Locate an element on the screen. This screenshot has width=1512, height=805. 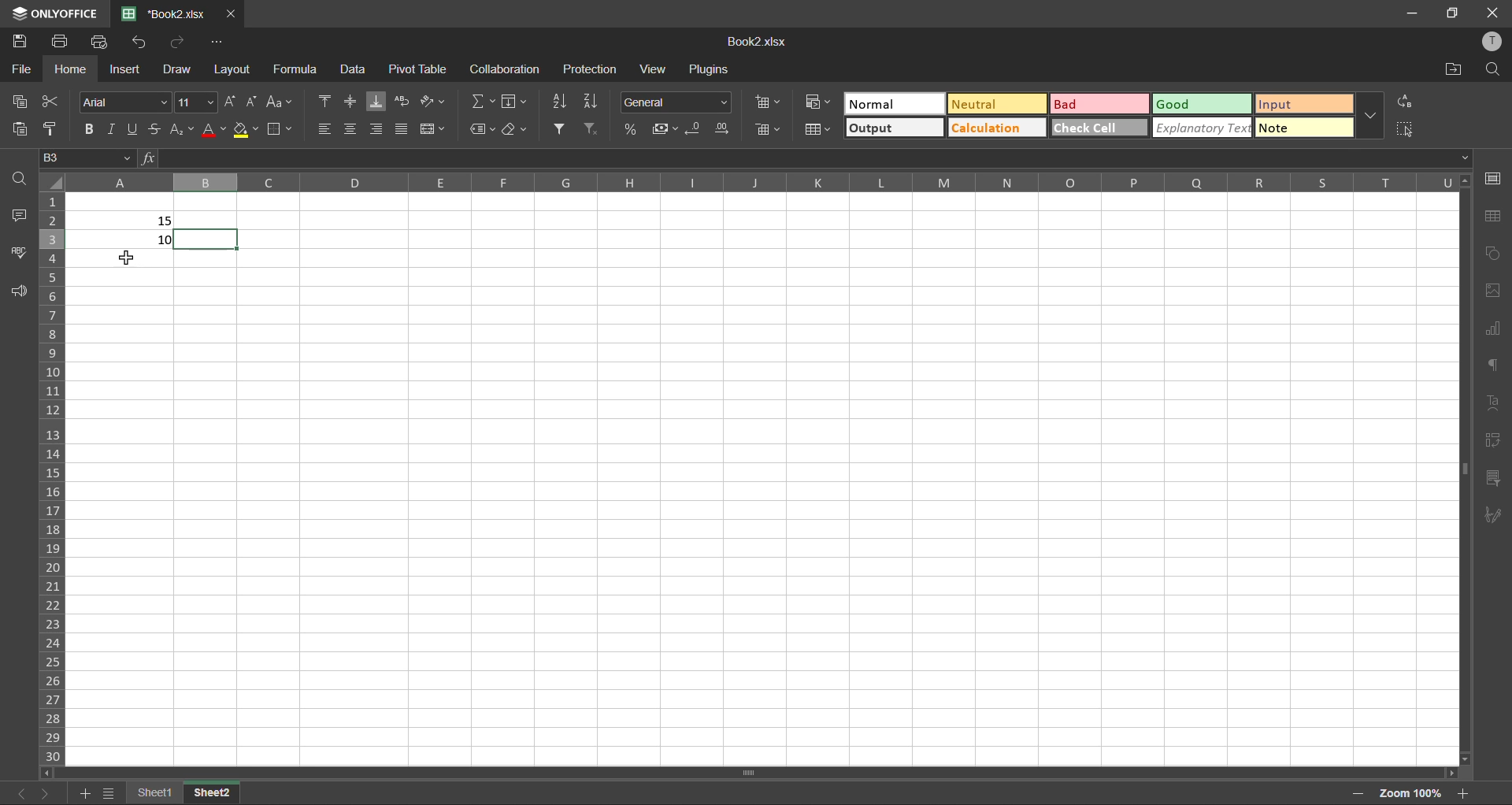
images is located at coordinates (1493, 291).